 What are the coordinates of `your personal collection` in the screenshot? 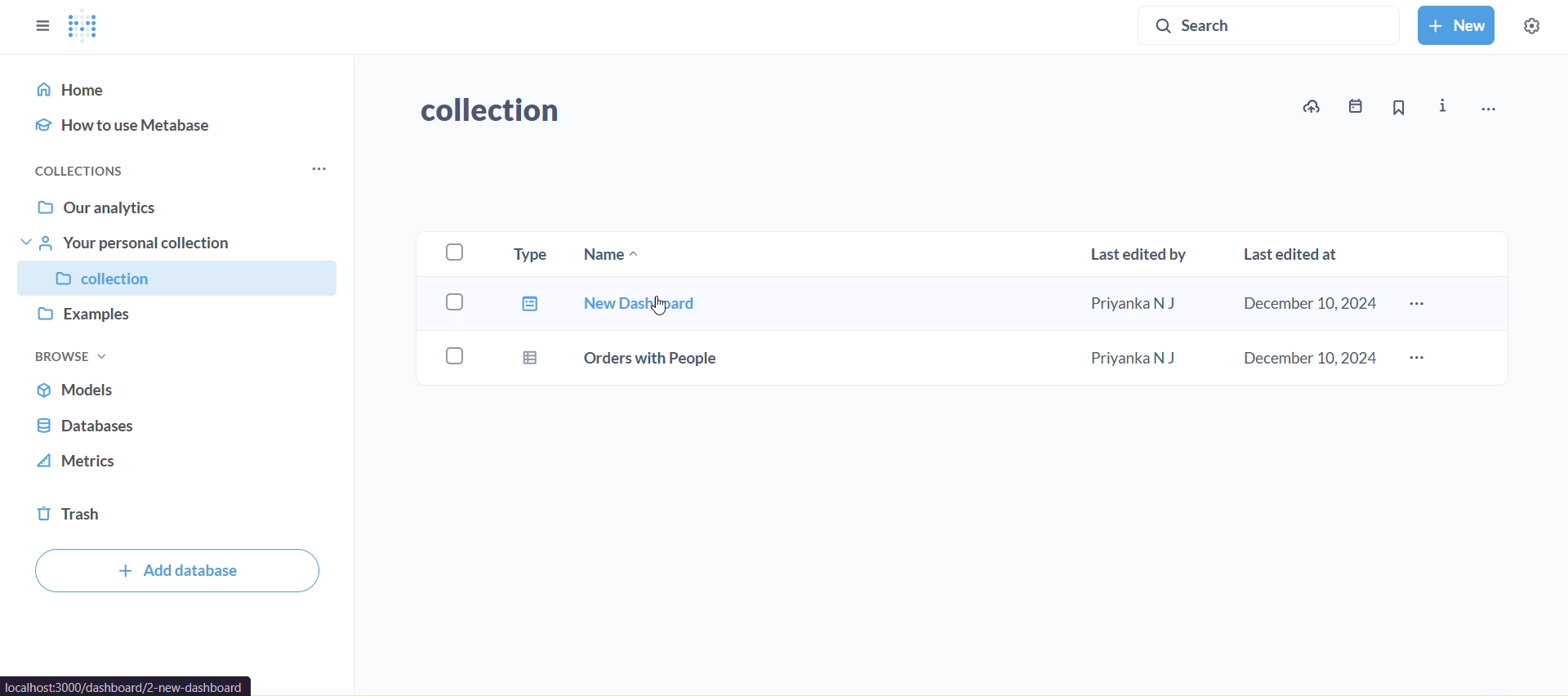 It's located at (182, 243).